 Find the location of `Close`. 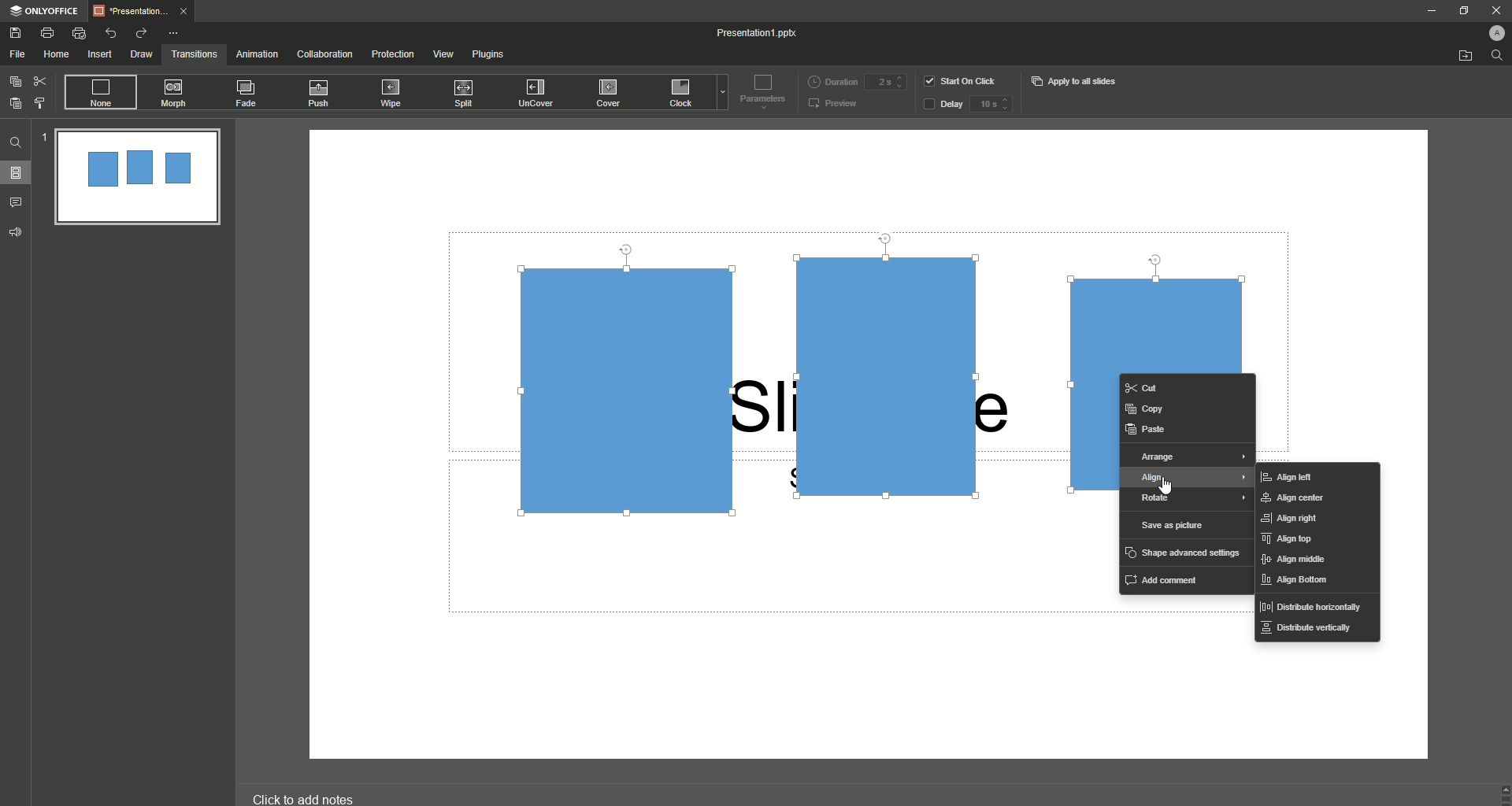

Close is located at coordinates (1489, 9).